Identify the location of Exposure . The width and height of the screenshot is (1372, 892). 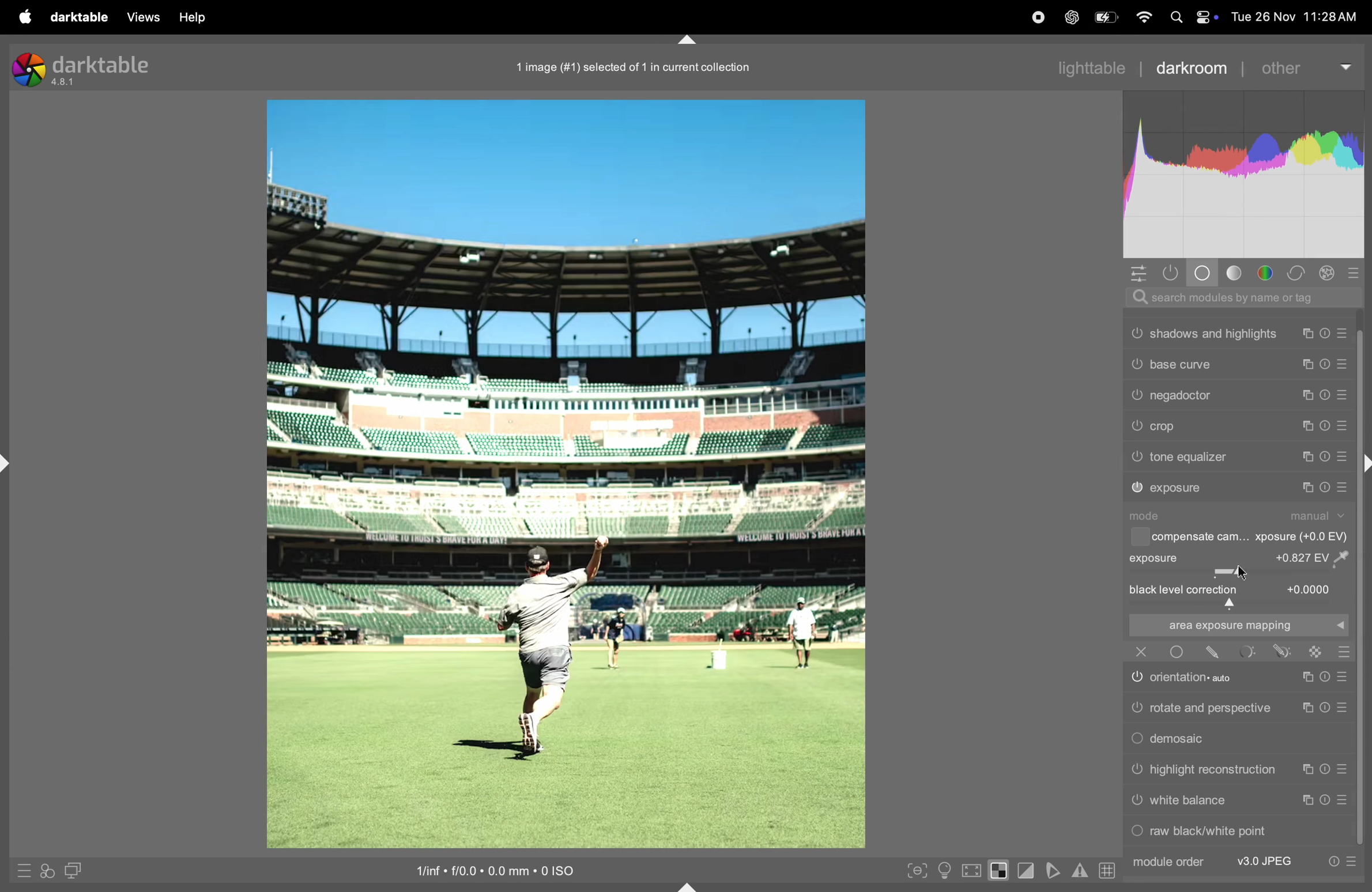
(1155, 558).